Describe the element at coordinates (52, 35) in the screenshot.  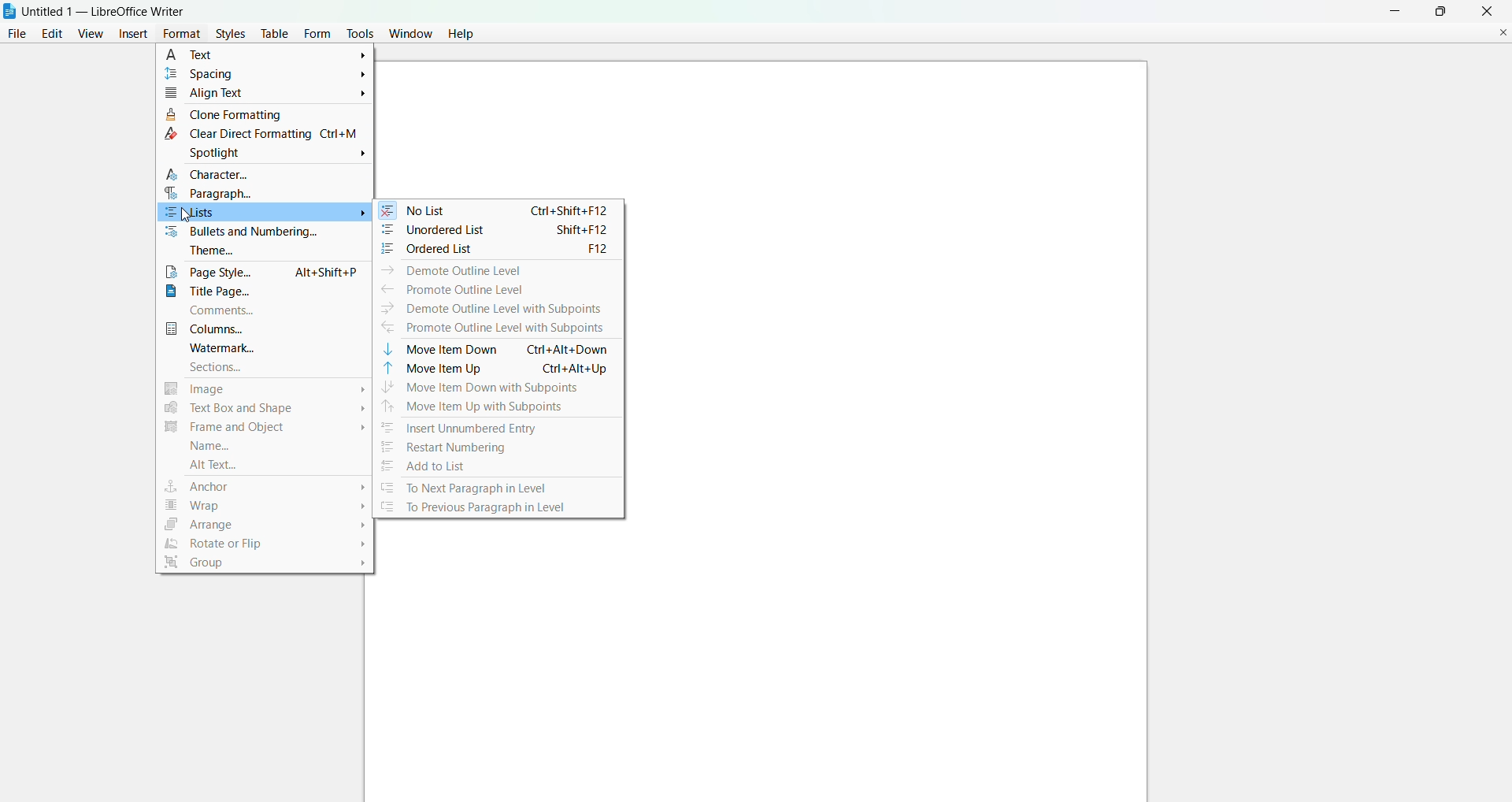
I see `edit` at that location.